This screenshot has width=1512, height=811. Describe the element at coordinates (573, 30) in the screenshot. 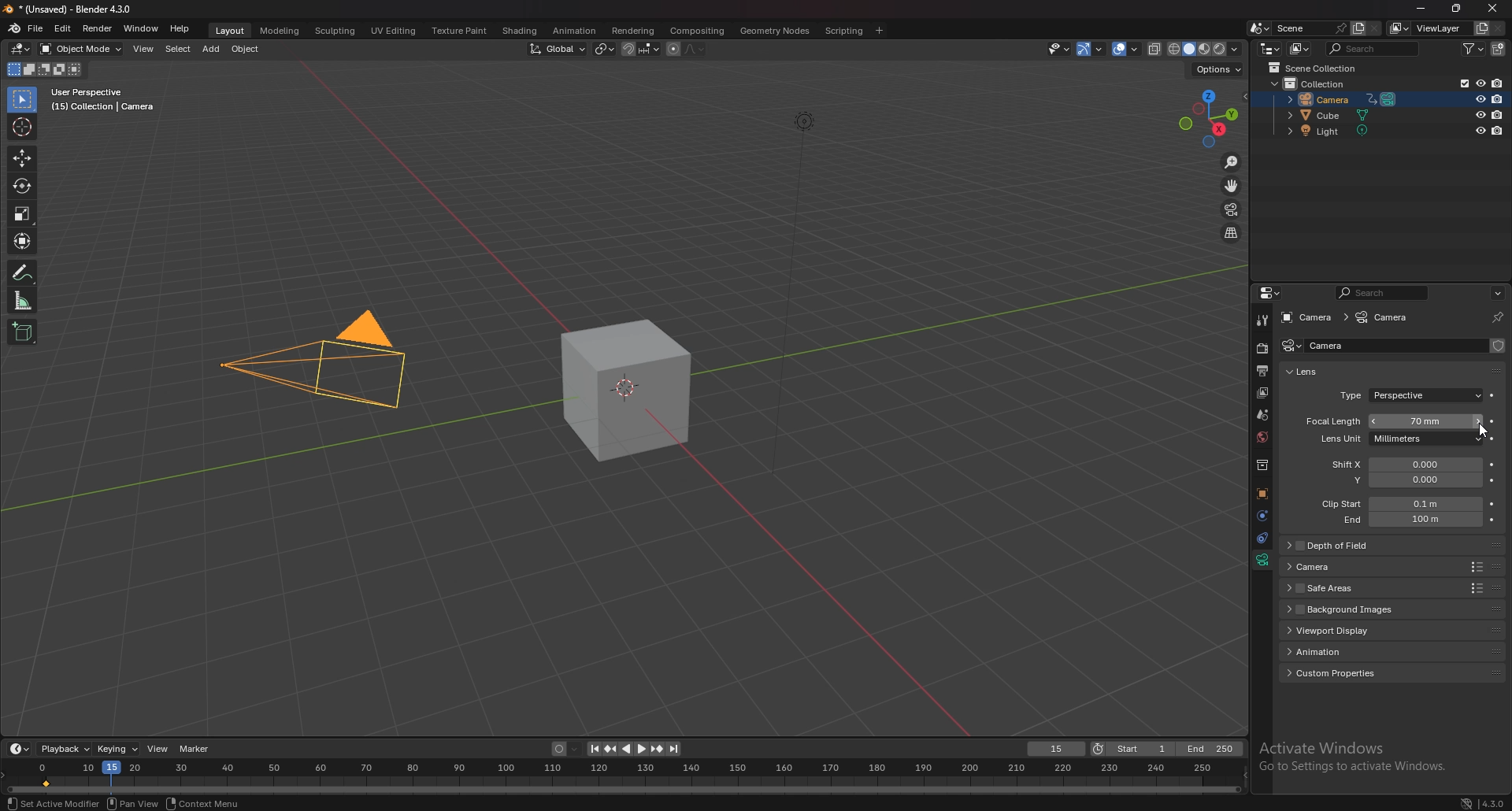

I see `animation` at that location.